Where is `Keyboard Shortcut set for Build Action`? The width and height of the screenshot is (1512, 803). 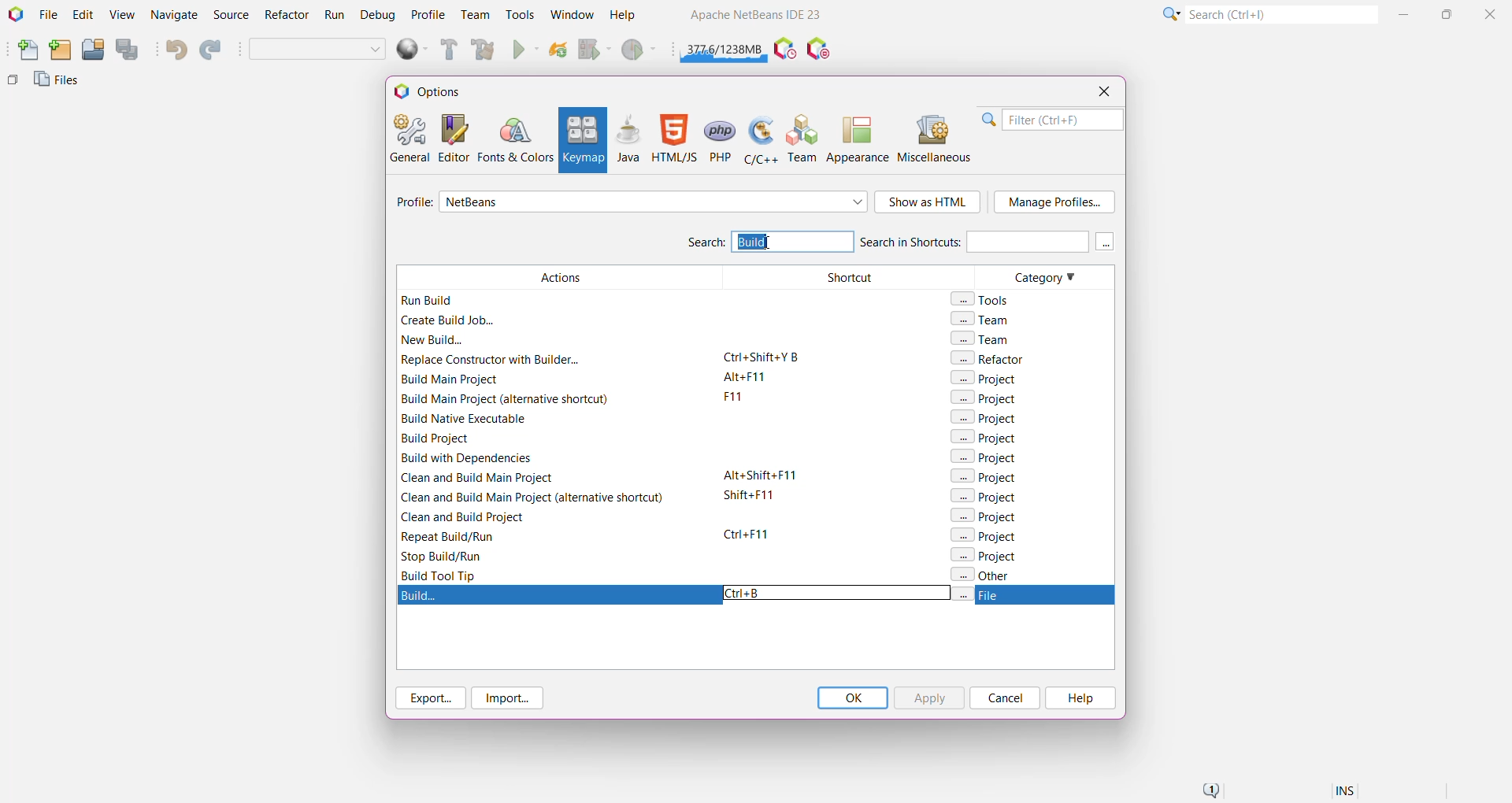 Keyboard Shortcut set for Build Action is located at coordinates (754, 595).